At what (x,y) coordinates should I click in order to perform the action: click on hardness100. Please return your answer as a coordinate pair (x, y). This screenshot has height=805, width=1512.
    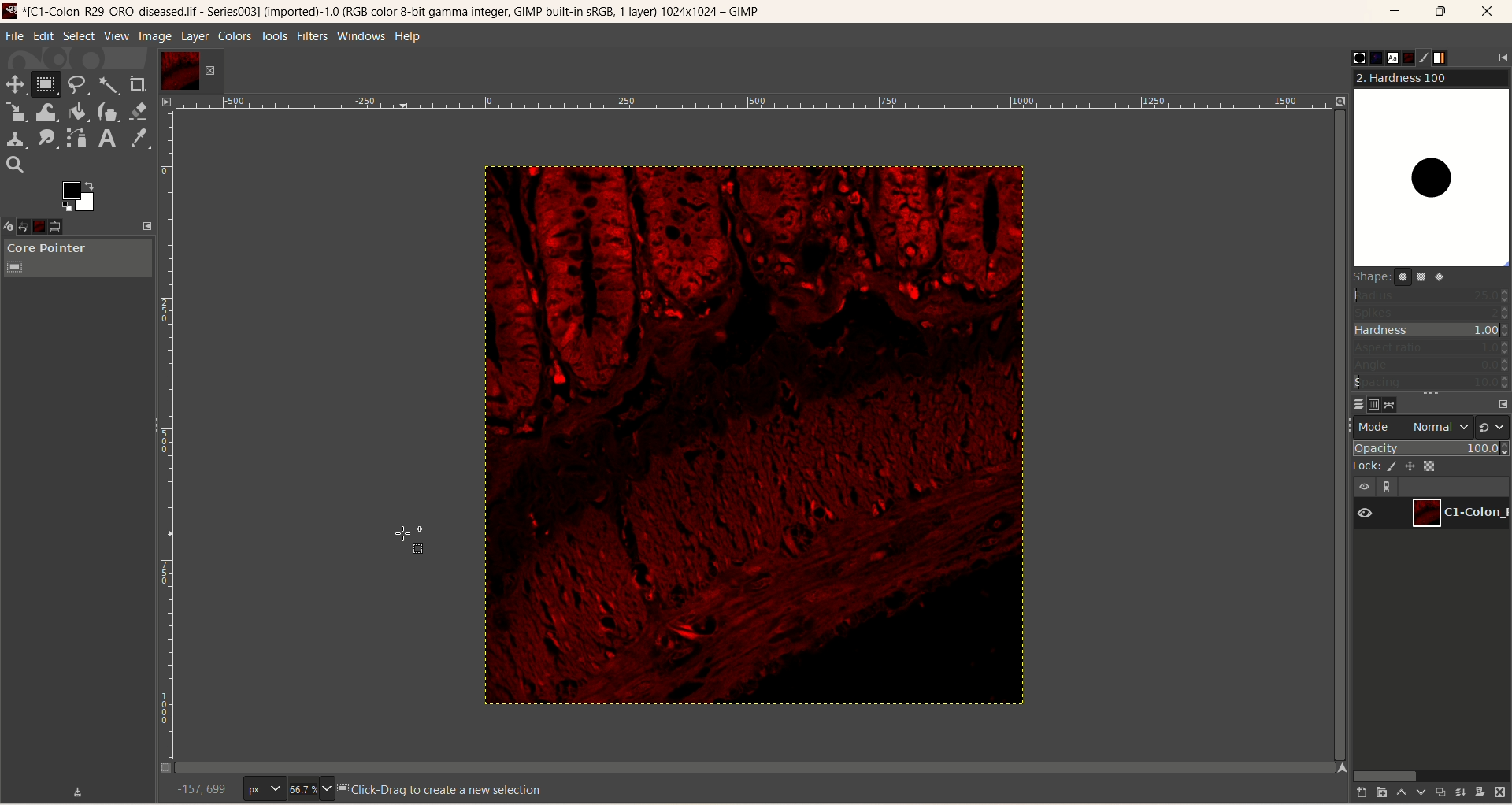
    Looking at the image, I should click on (1431, 169).